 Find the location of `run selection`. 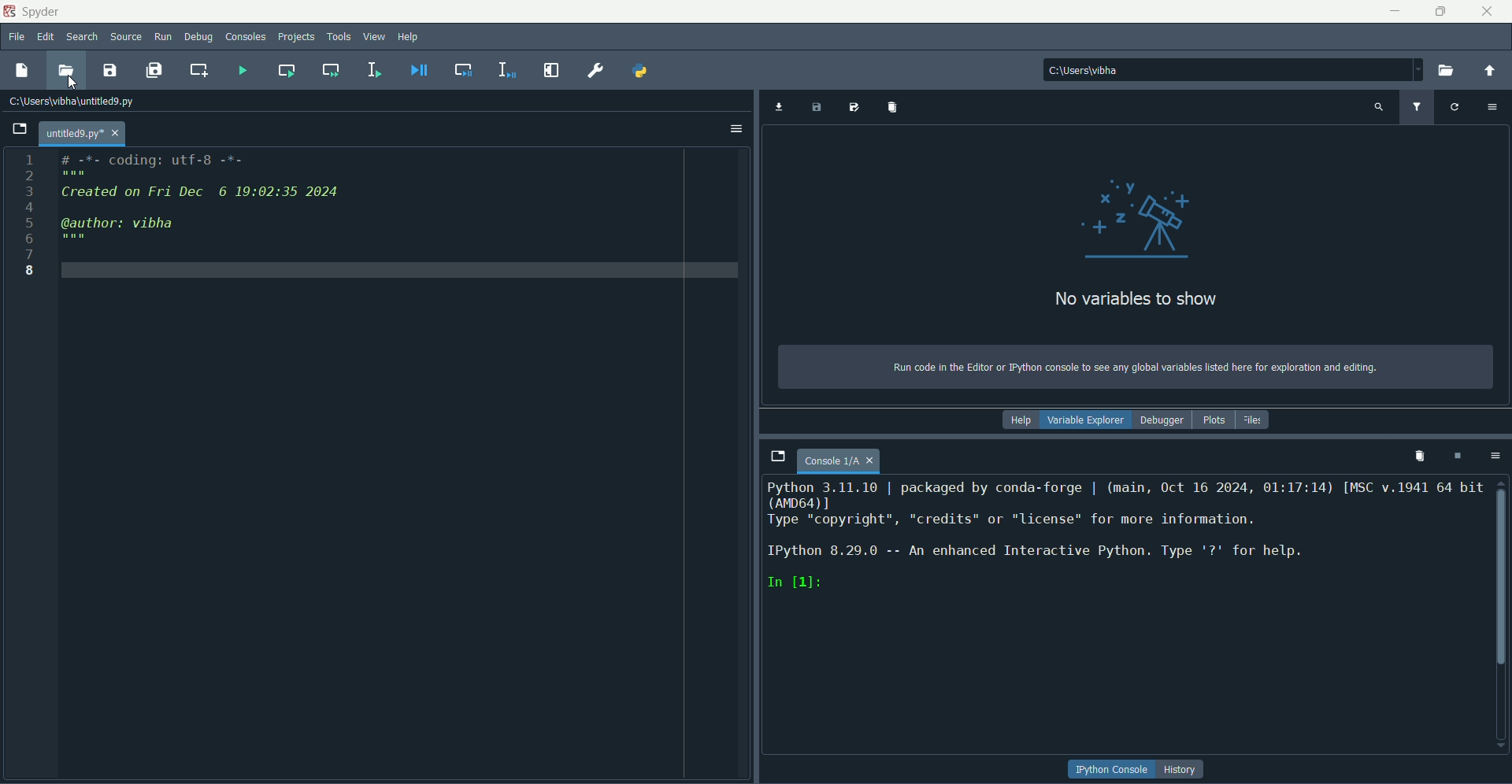

run selection is located at coordinates (376, 69).